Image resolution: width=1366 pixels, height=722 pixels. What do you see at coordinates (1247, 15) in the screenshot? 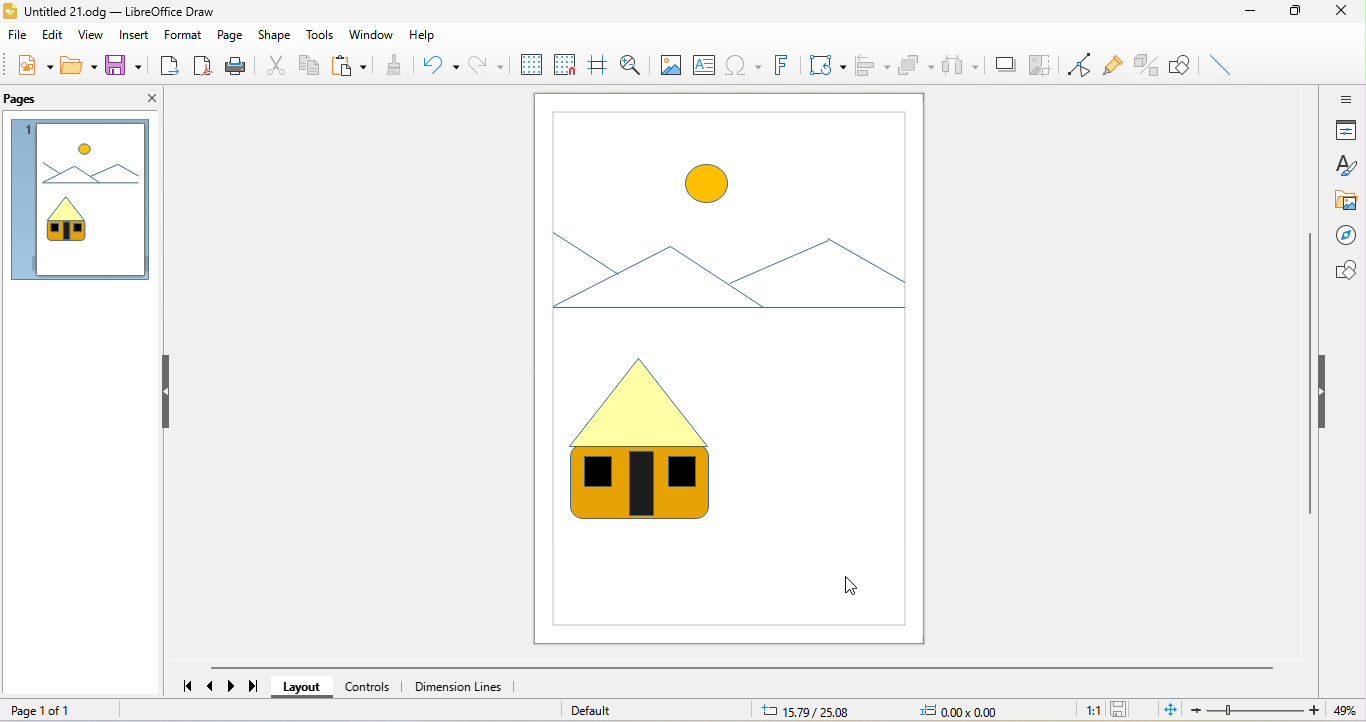
I see `minimize` at bounding box center [1247, 15].